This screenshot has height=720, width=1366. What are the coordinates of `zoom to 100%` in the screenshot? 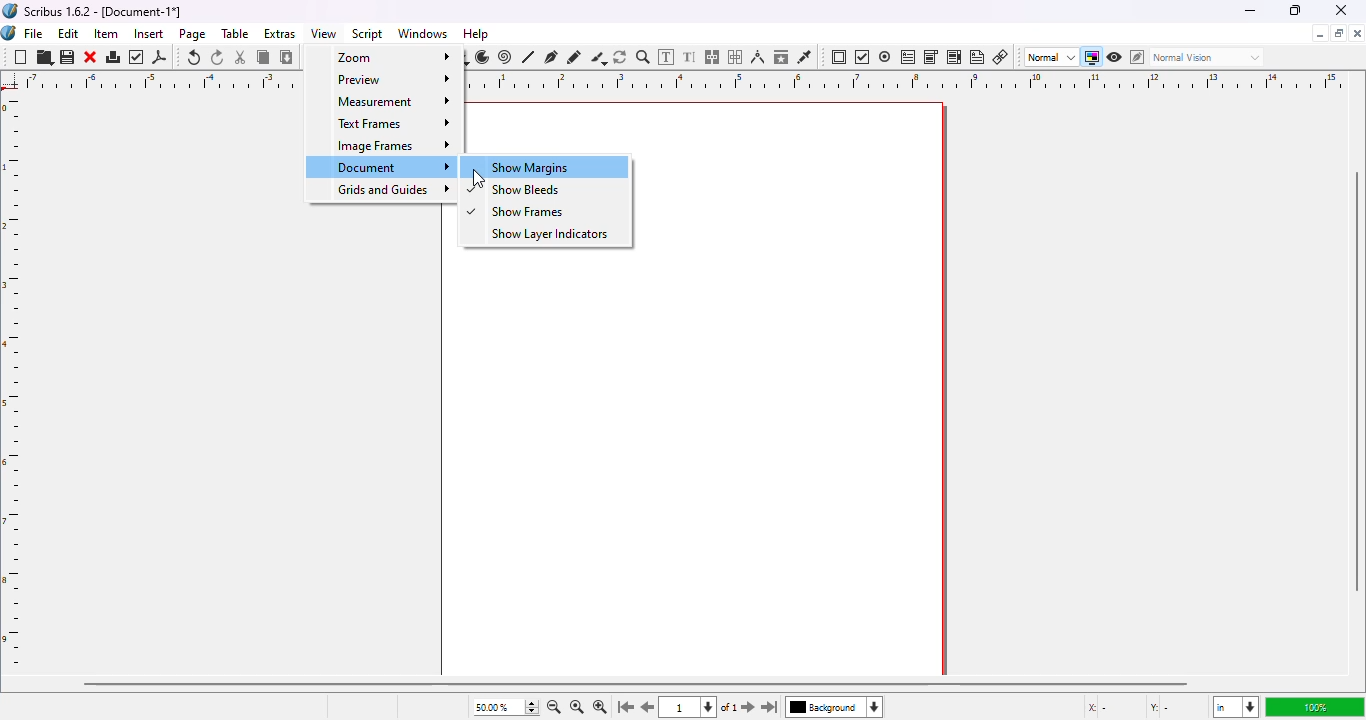 It's located at (575, 708).